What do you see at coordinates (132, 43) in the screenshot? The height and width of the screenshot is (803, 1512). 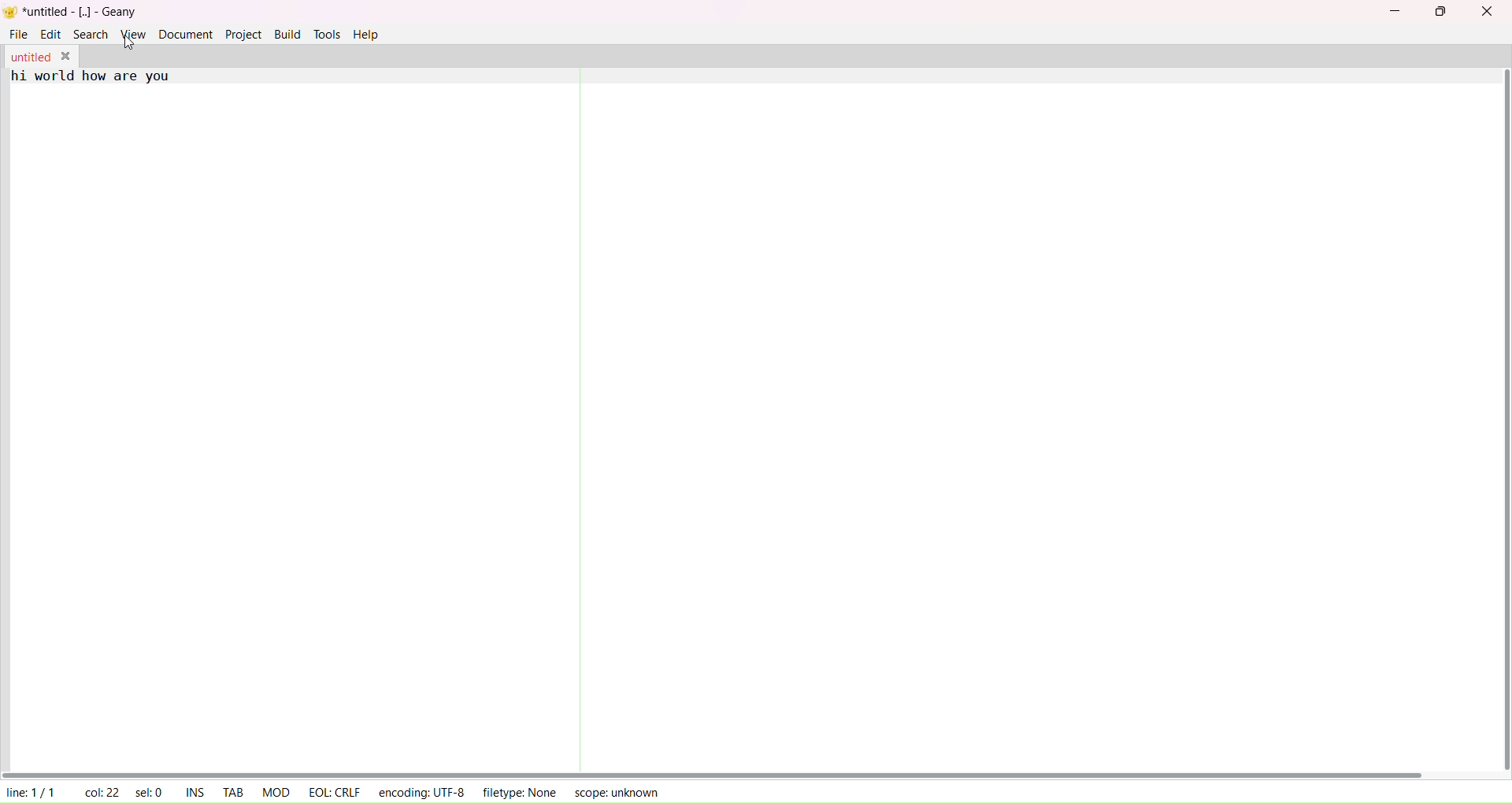 I see `cursor` at bounding box center [132, 43].